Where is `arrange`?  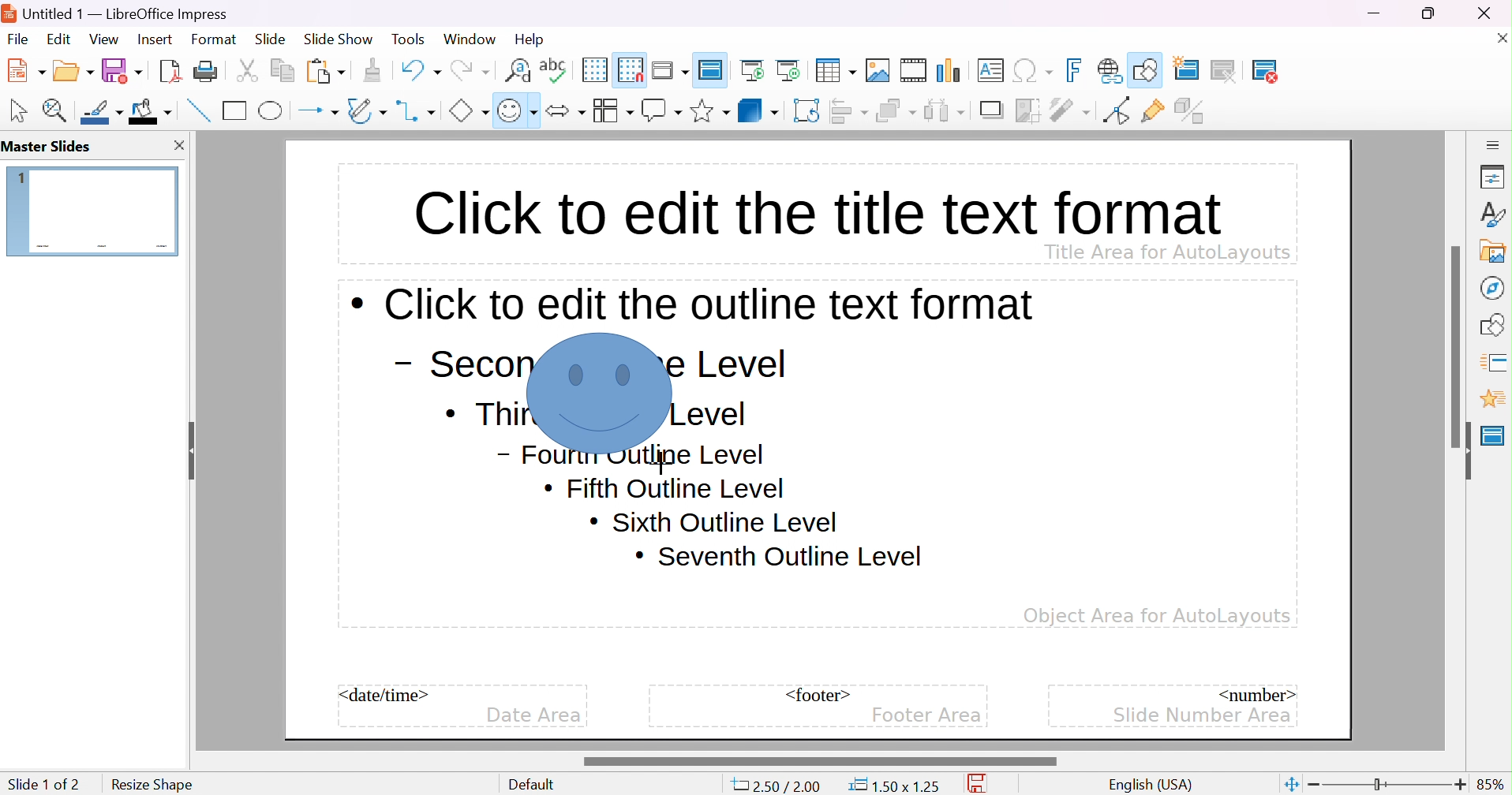
arrange is located at coordinates (896, 110).